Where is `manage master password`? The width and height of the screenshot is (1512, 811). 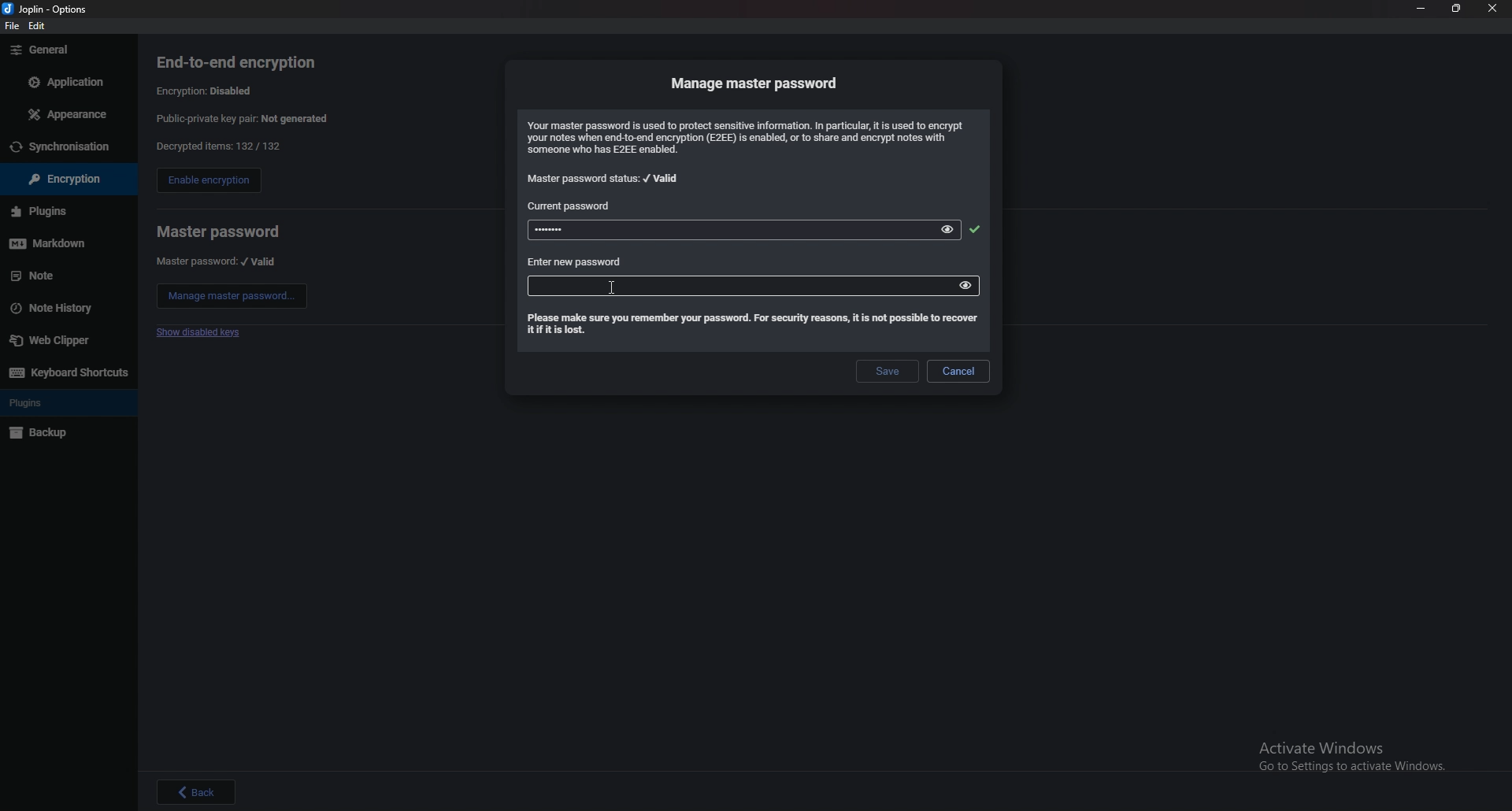
manage master password is located at coordinates (232, 296).